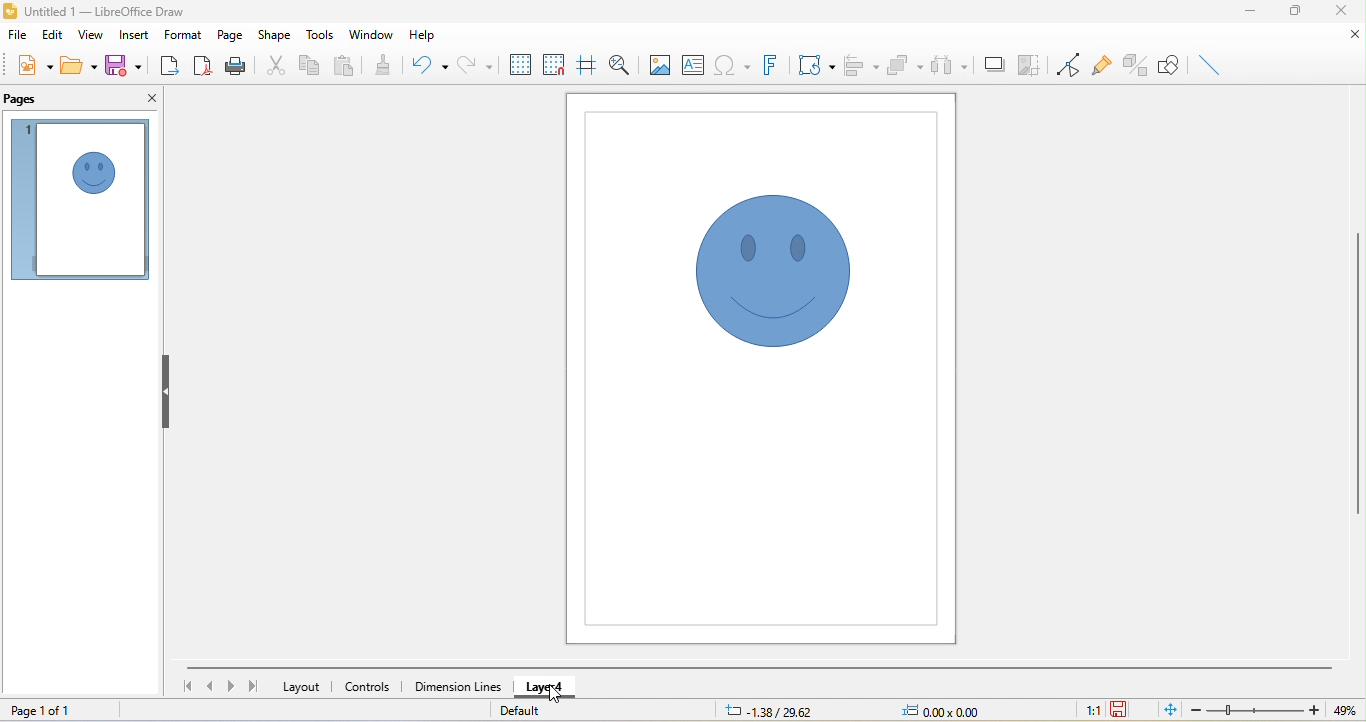  What do you see at coordinates (731, 64) in the screenshot?
I see `special character` at bounding box center [731, 64].